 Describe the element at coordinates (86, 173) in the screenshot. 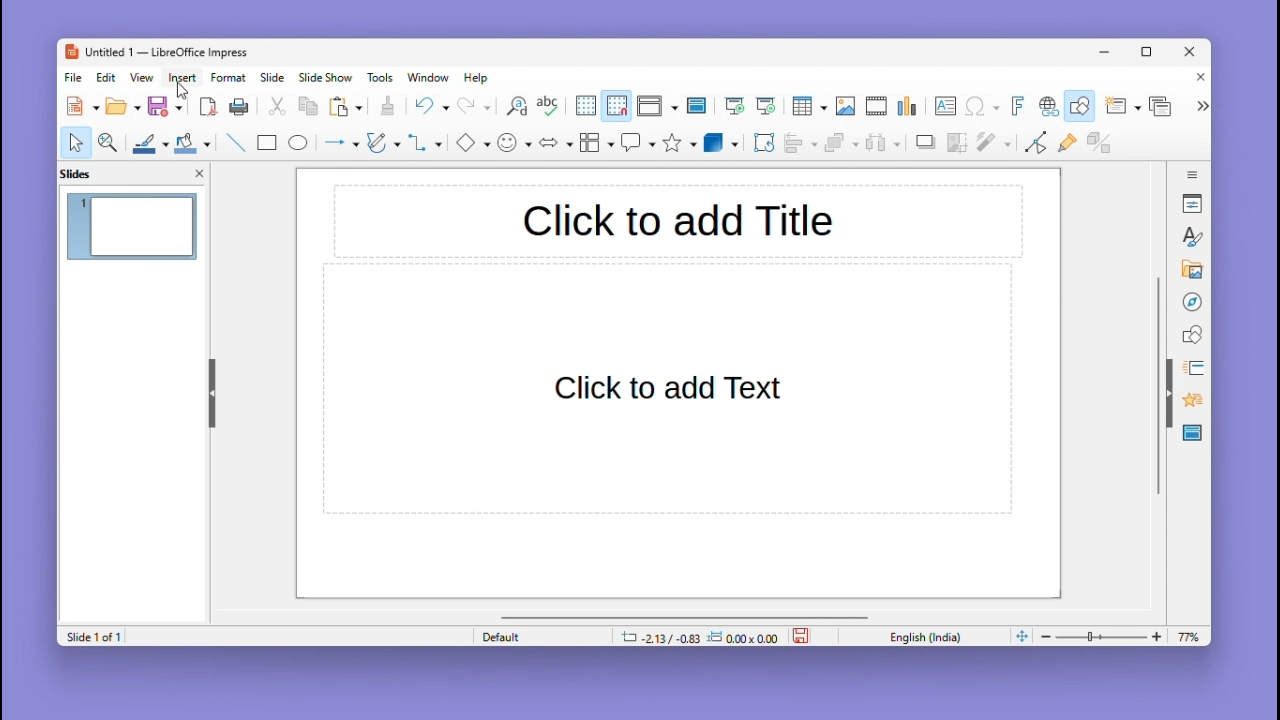

I see `Slides` at that location.